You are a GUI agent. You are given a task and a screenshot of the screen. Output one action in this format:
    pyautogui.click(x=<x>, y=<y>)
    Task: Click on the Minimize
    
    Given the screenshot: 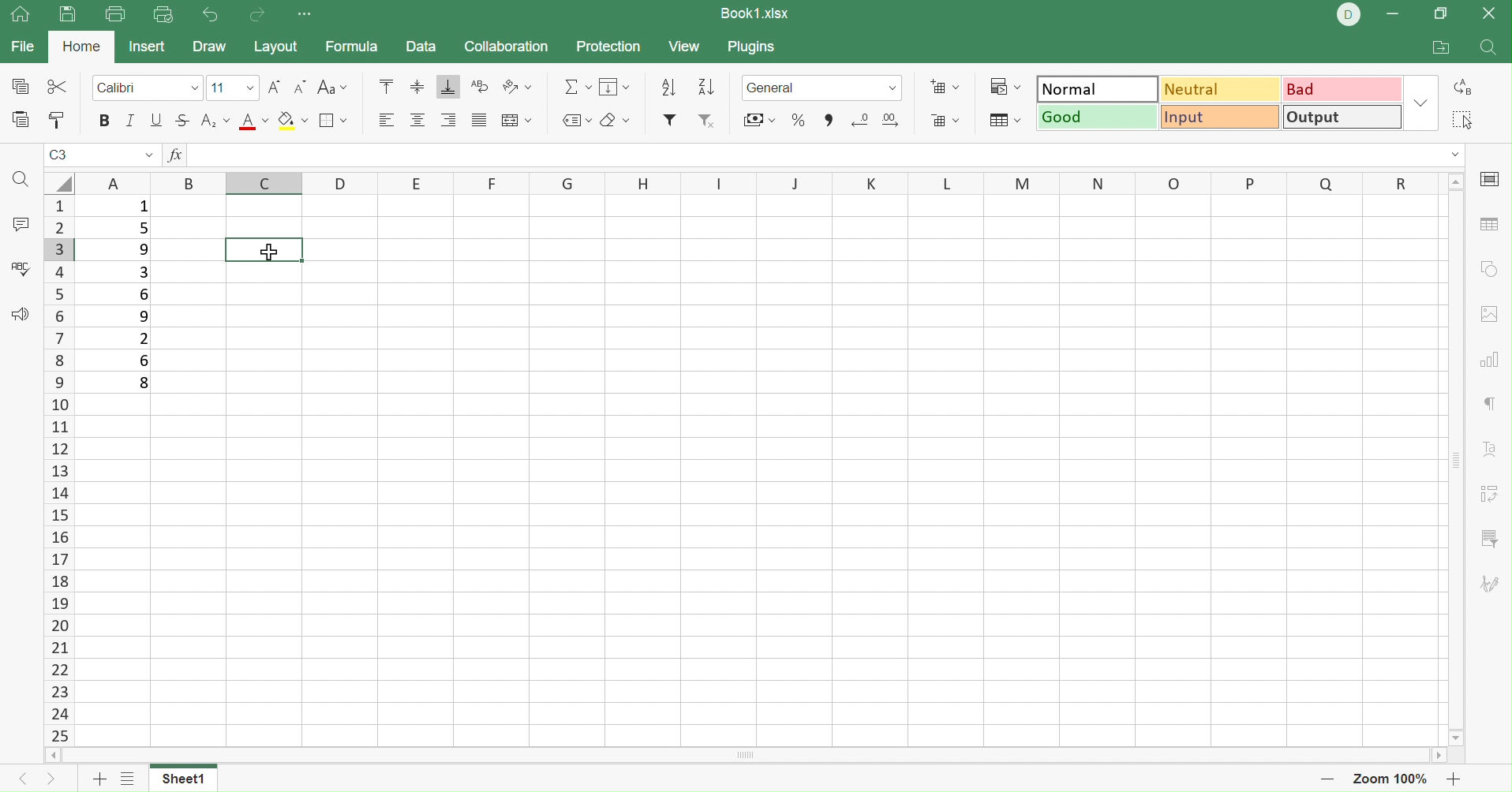 What is the action you would take?
    pyautogui.click(x=1393, y=13)
    